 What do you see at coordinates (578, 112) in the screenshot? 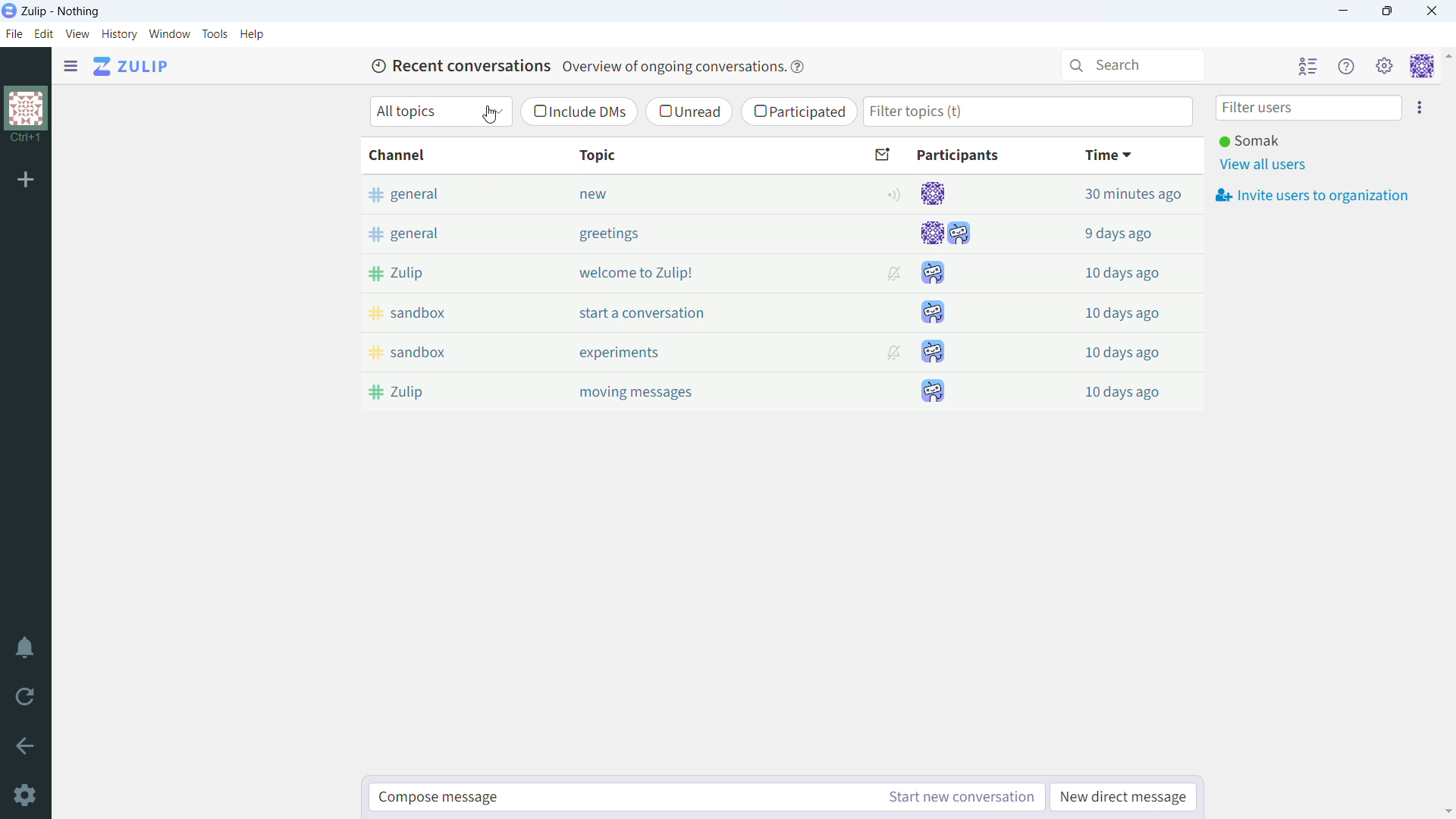
I see `include DMs` at bounding box center [578, 112].